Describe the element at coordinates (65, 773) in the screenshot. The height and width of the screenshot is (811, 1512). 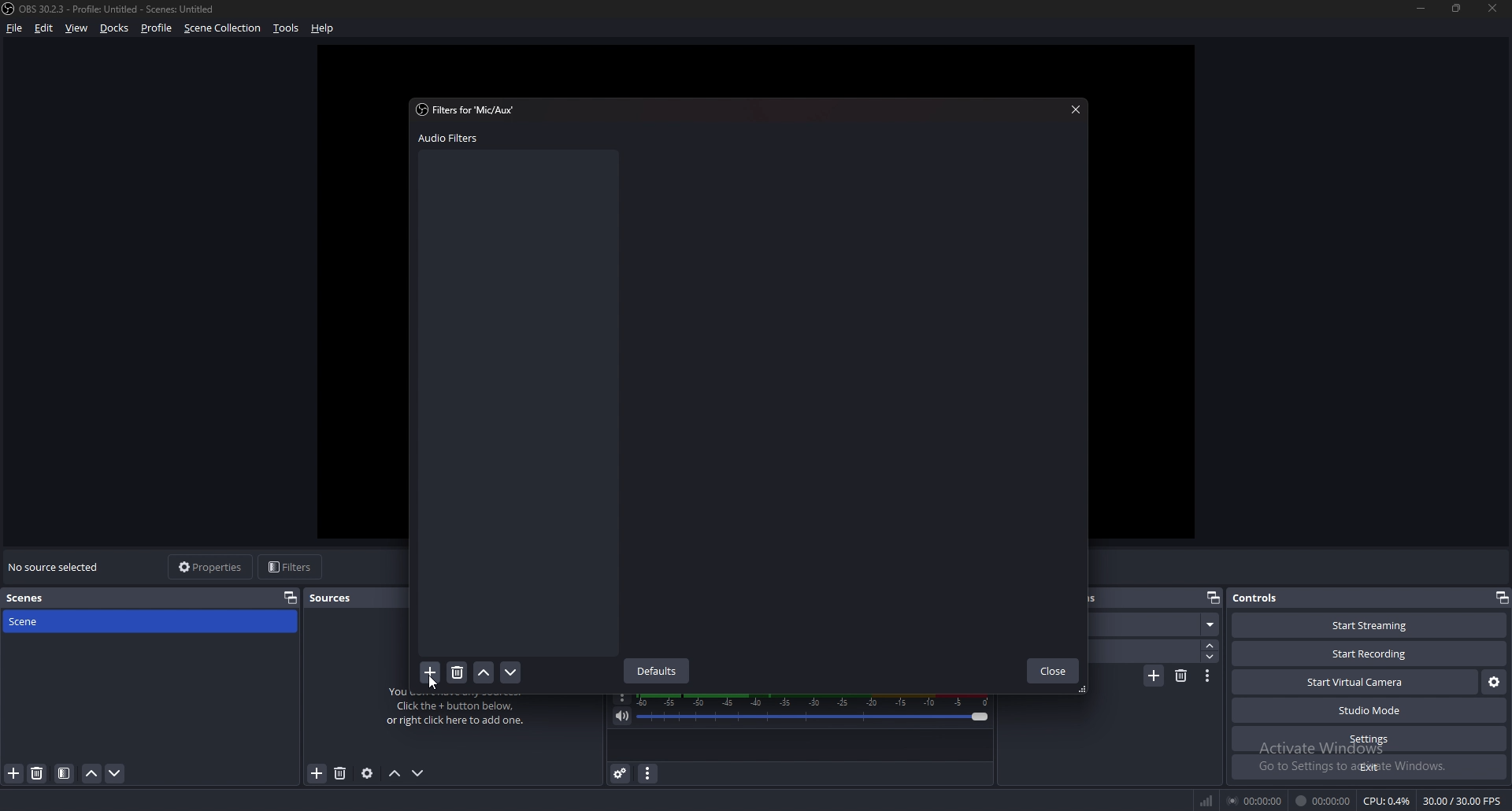
I see `filter` at that location.